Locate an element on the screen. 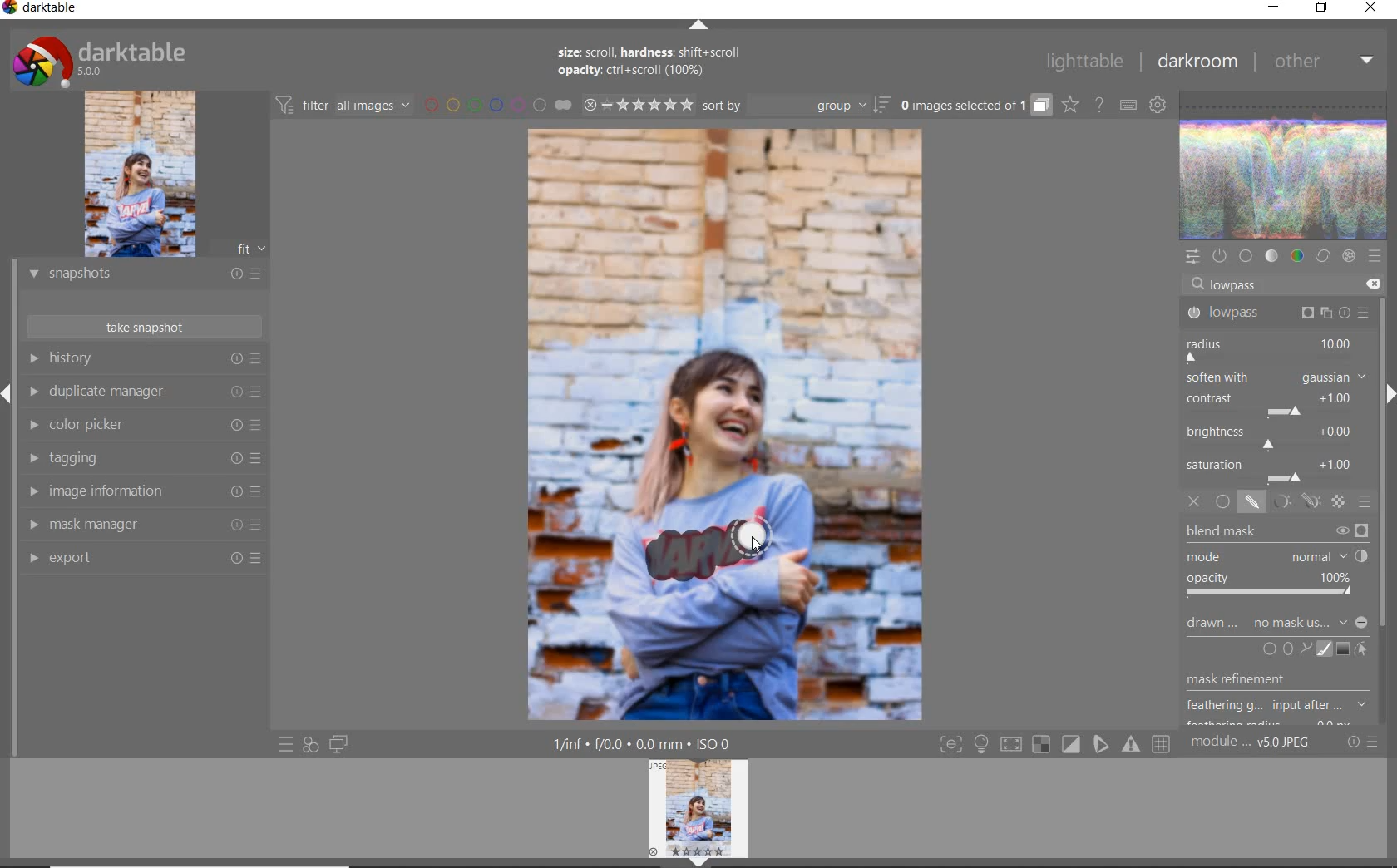  export is located at coordinates (146, 558).